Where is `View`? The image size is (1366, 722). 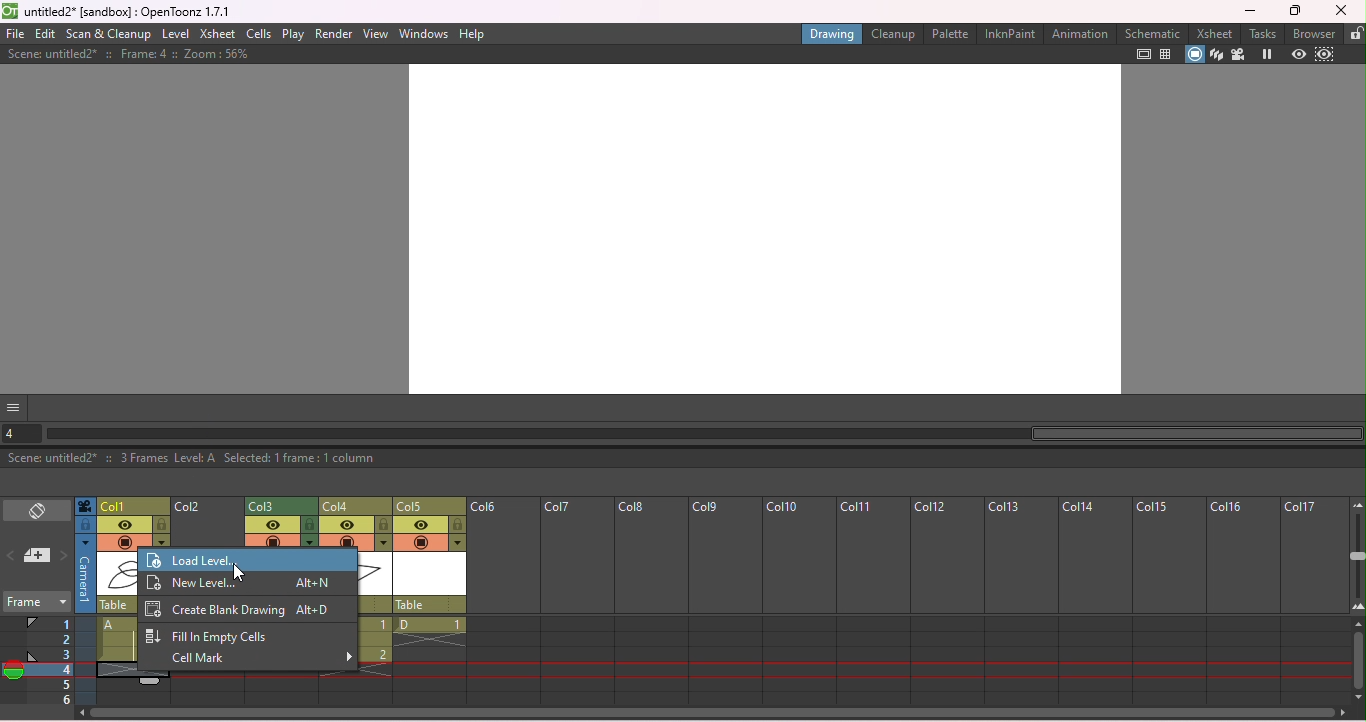
View is located at coordinates (376, 33).